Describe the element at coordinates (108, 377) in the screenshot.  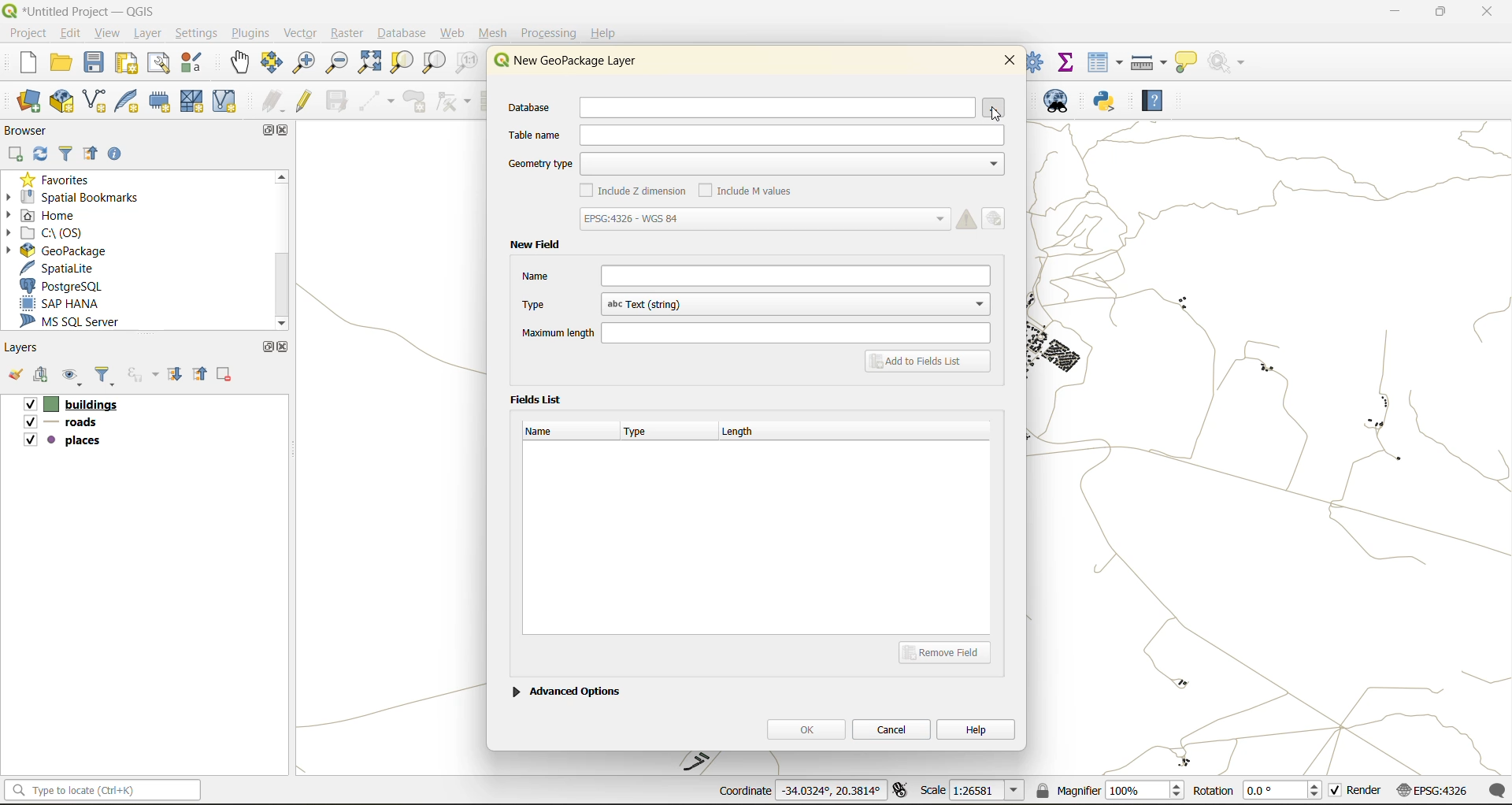
I see `filter` at that location.